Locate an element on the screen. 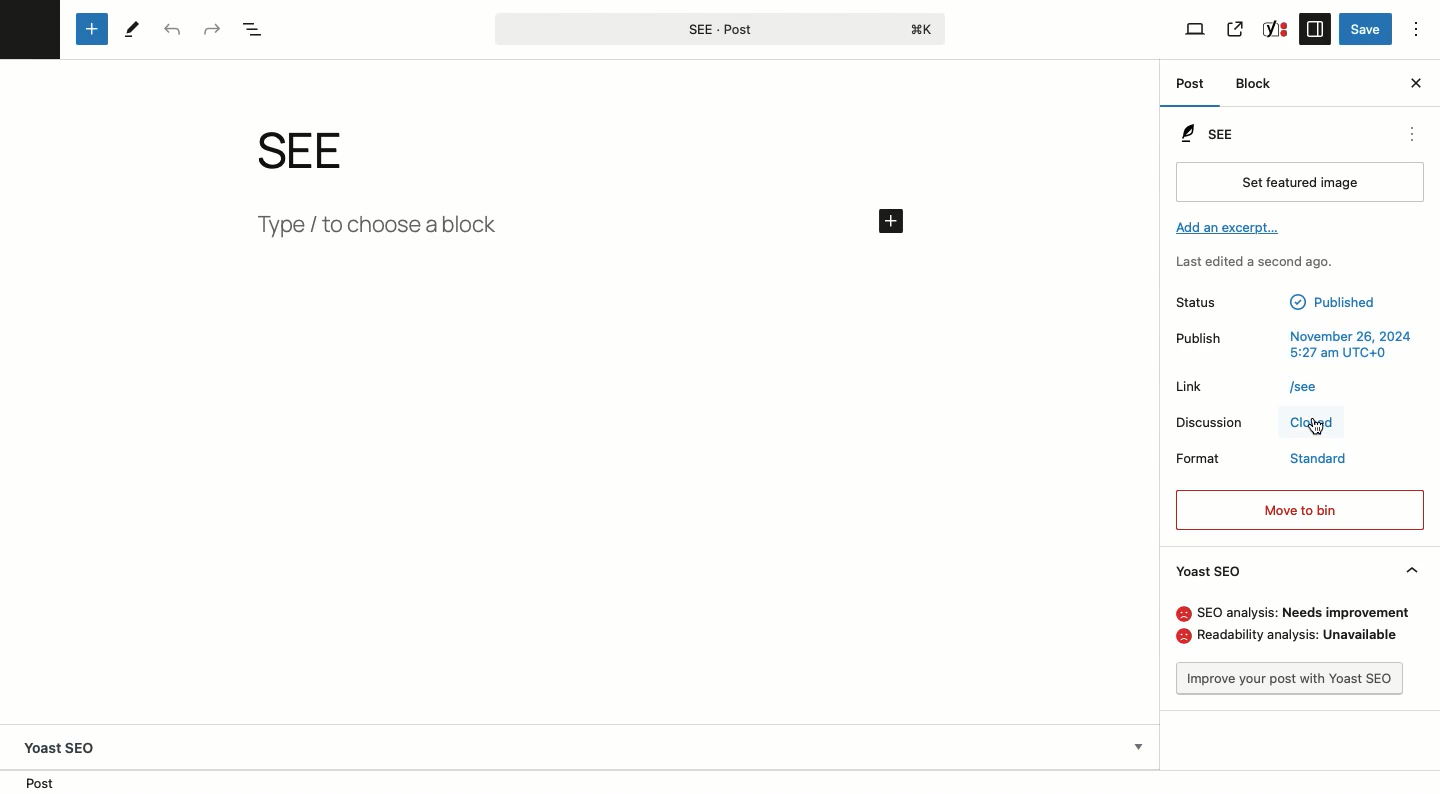  View is located at coordinates (1196, 30).